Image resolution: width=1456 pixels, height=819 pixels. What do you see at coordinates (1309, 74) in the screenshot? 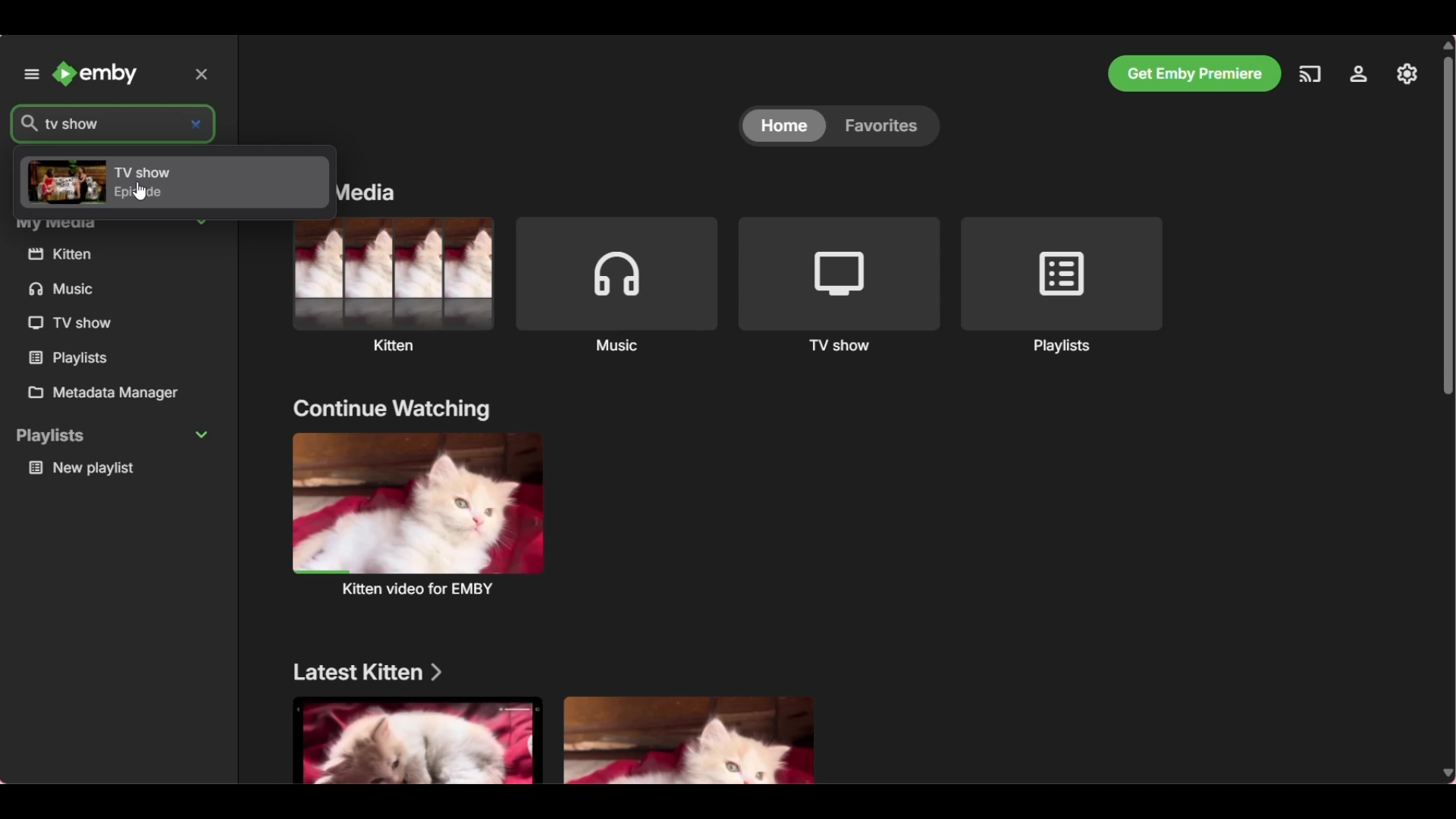
I see `Play on another device` at bounding box center [1309, 74].